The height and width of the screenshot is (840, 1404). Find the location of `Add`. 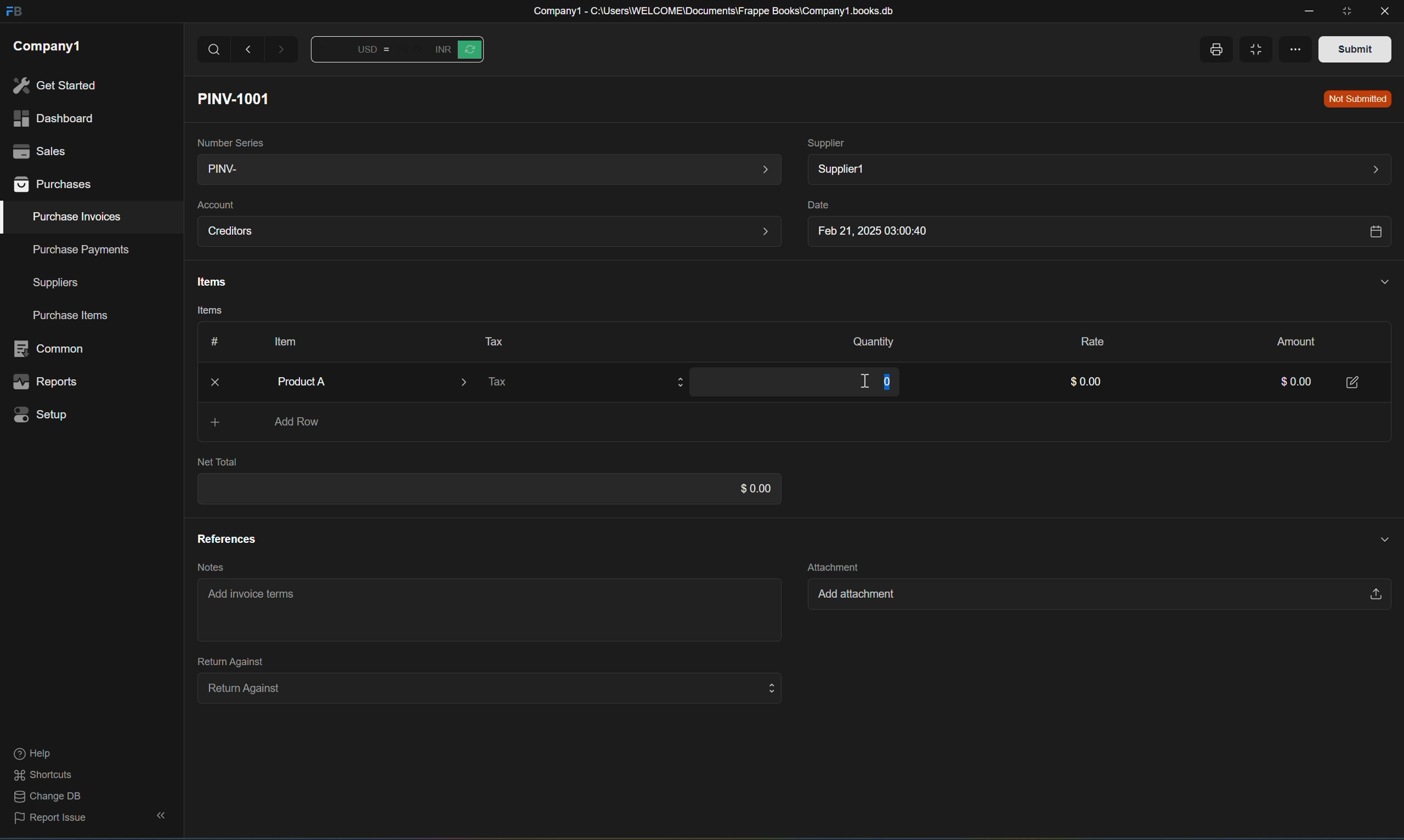

Add is located at coordinates (207, 422).